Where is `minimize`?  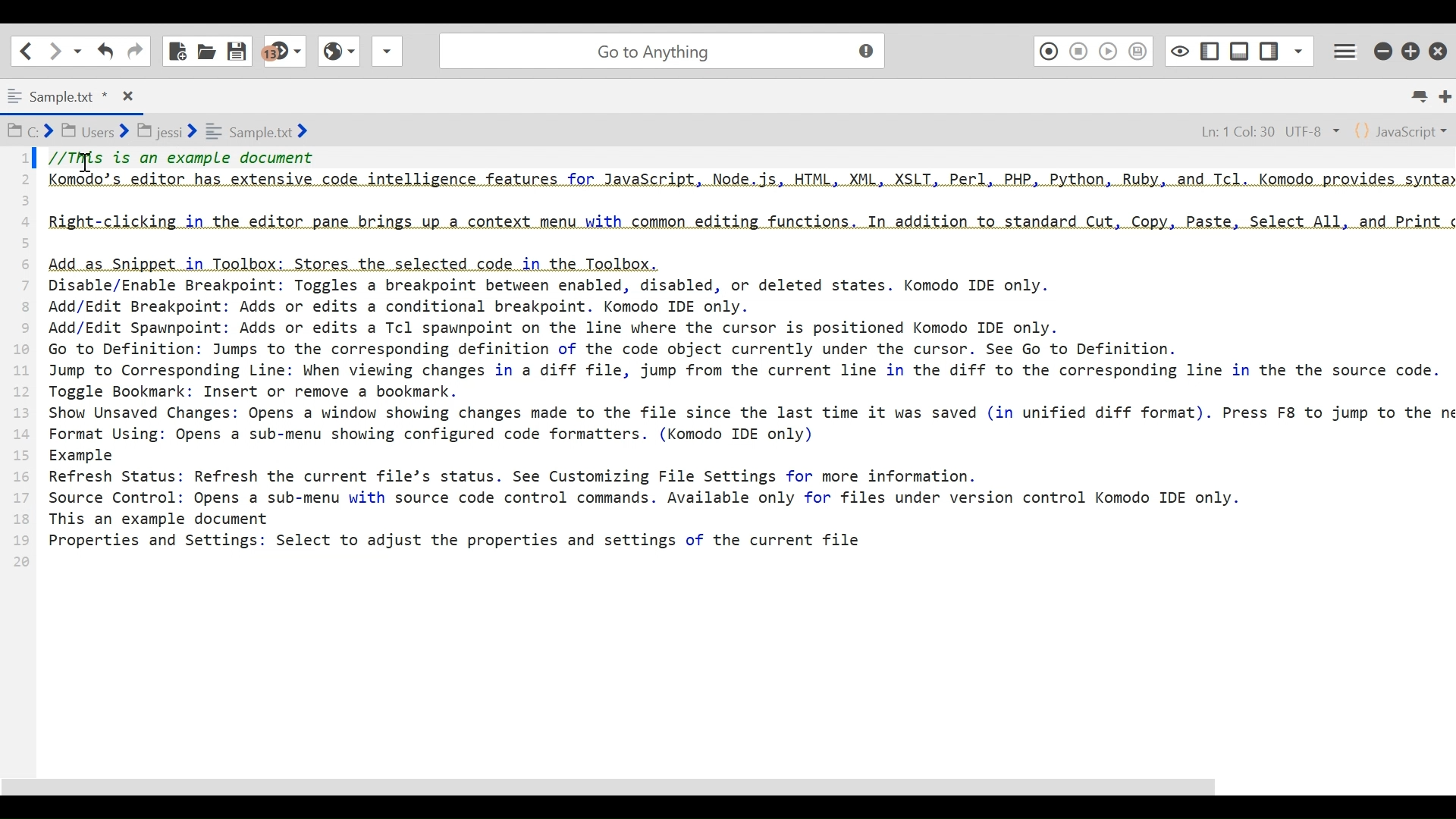
minimize is located at coordinates (1382, 49).